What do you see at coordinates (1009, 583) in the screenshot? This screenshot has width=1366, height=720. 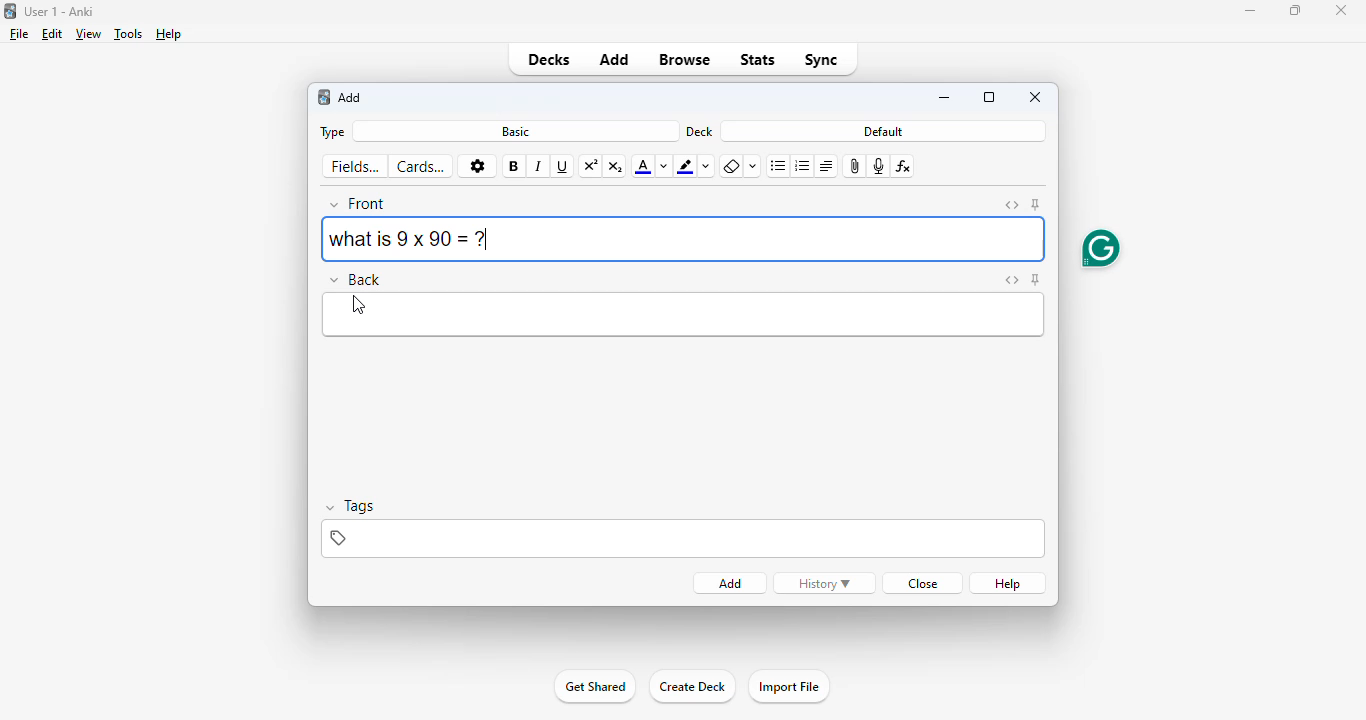 I see `help` at bounding box center [1009, 583].